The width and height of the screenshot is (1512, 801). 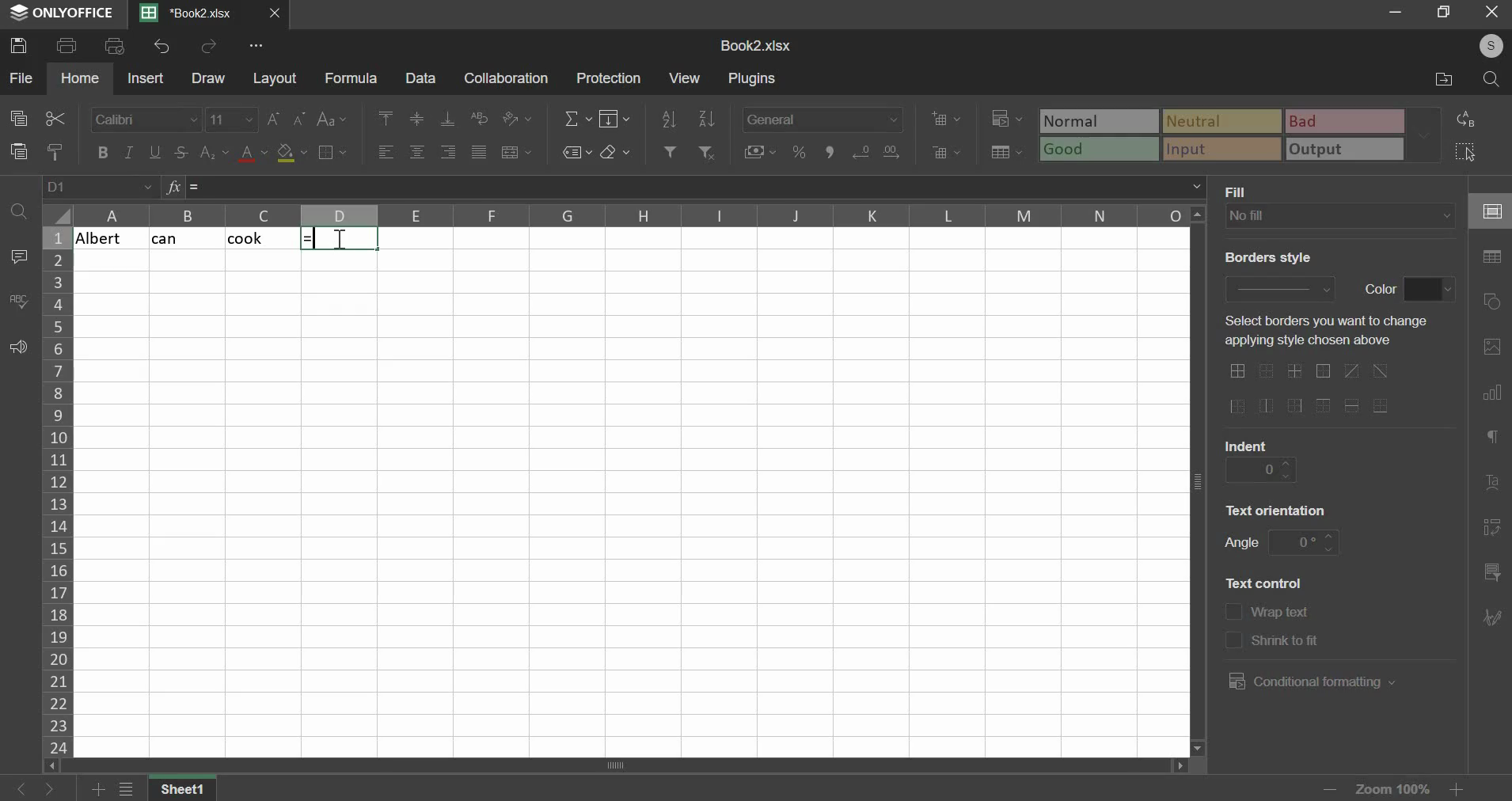 I want to click on sort ascending, so click(x=669, y=116).